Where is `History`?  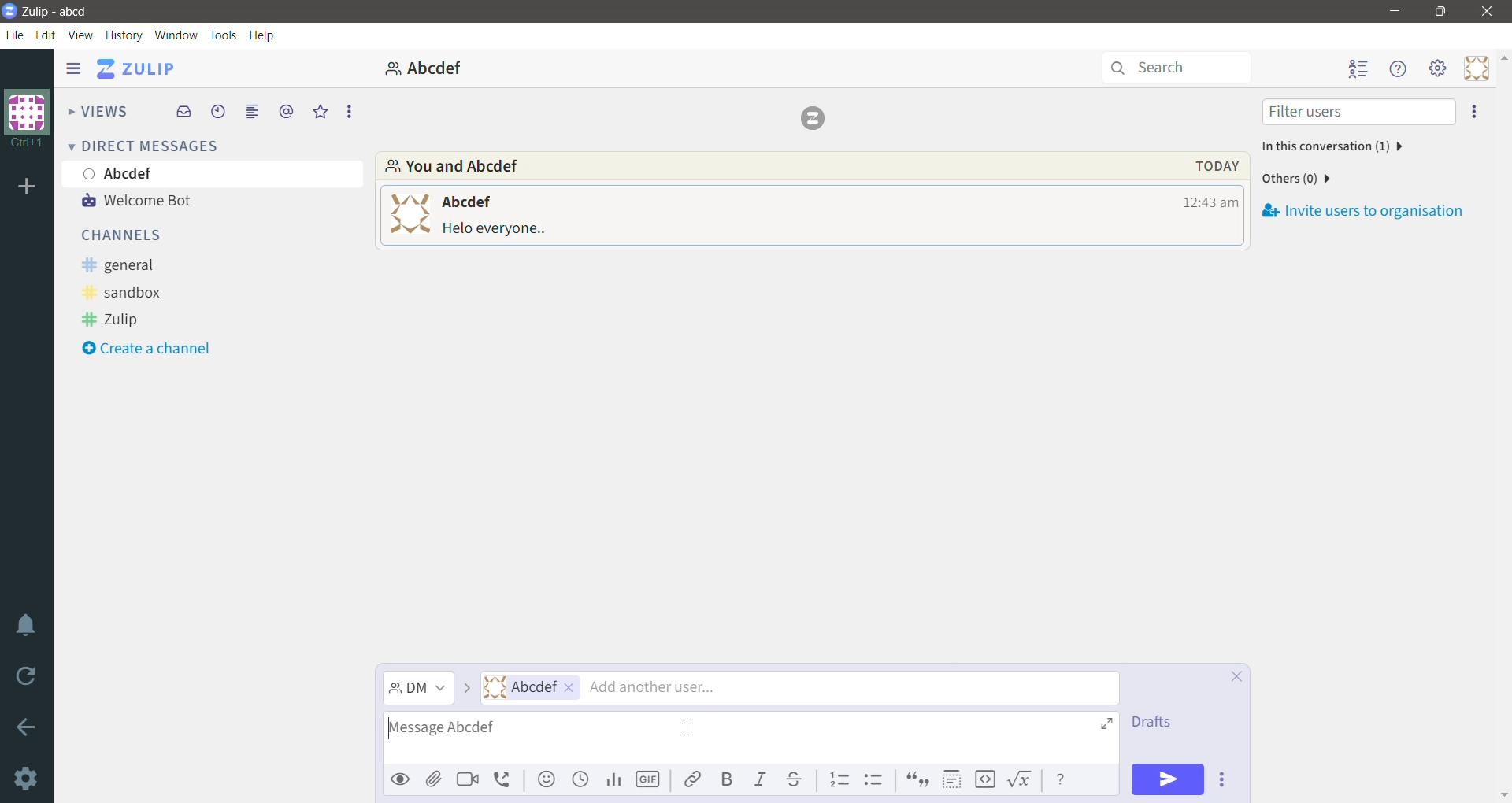
History is located at coordinates (124, 35).